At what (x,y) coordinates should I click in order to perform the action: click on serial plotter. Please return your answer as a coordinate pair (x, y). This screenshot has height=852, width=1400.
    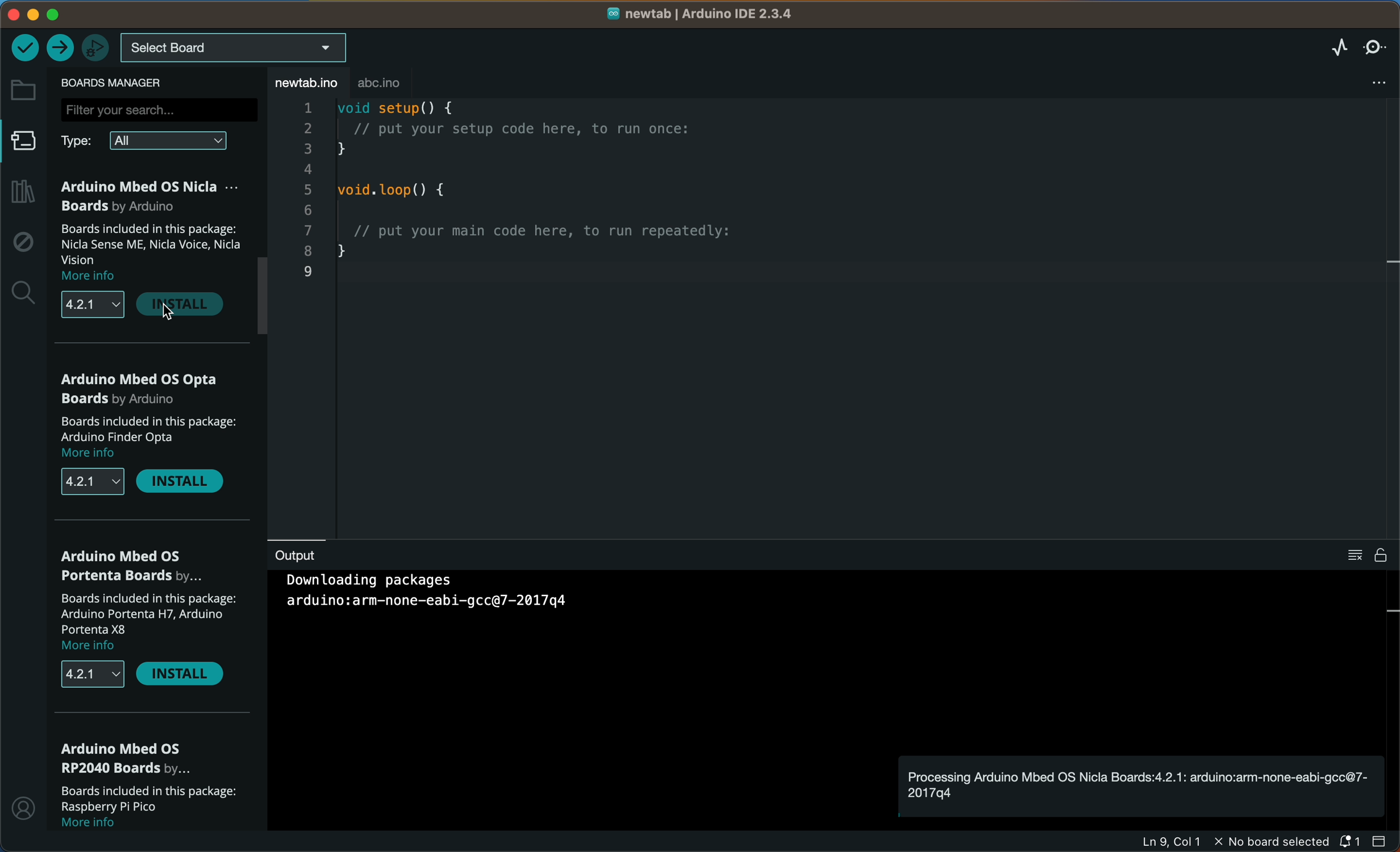
    Looking at the image, I should click on (1336, 47).